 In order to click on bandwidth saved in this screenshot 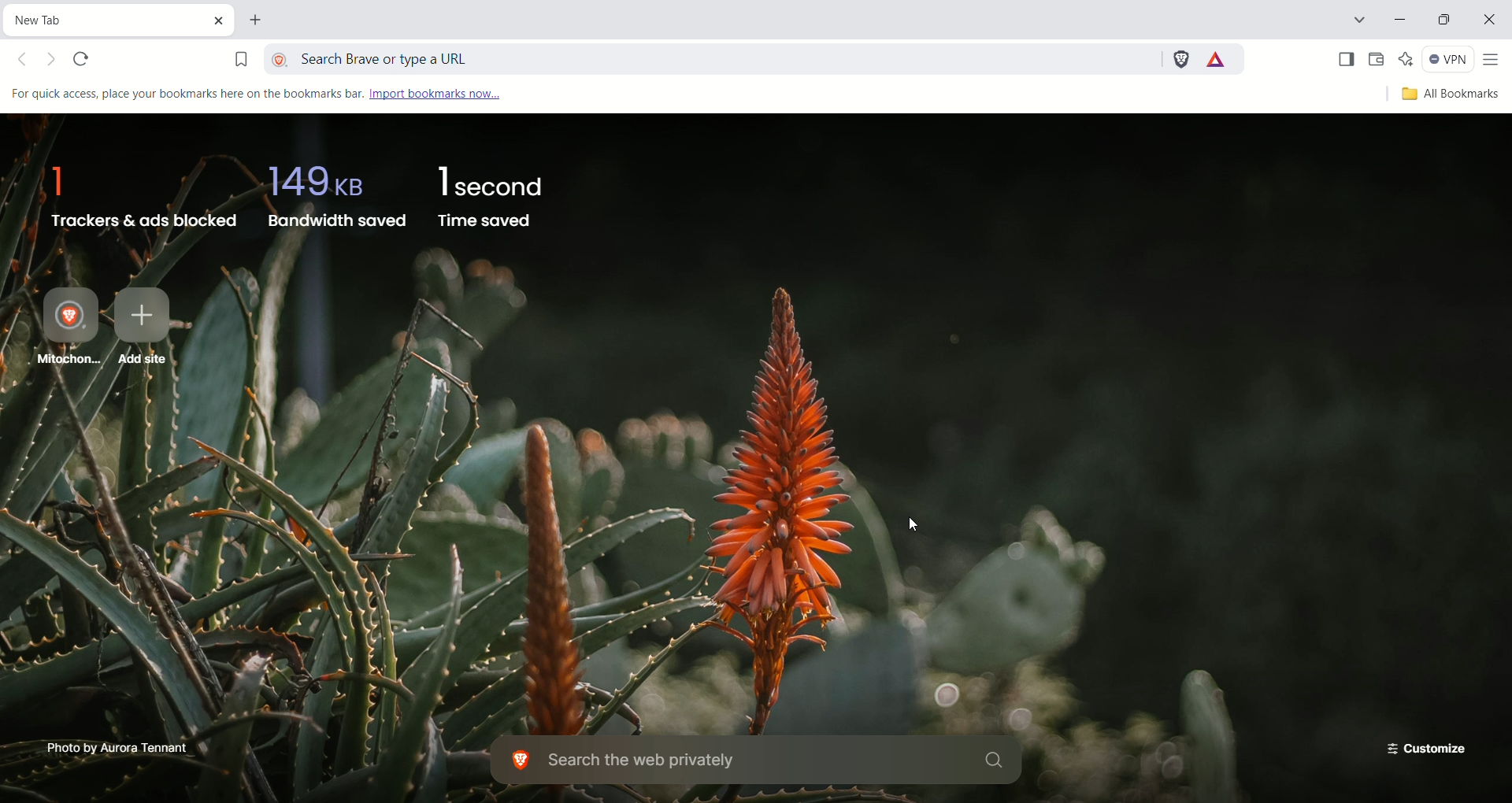, I will do `click(334, 193)`.